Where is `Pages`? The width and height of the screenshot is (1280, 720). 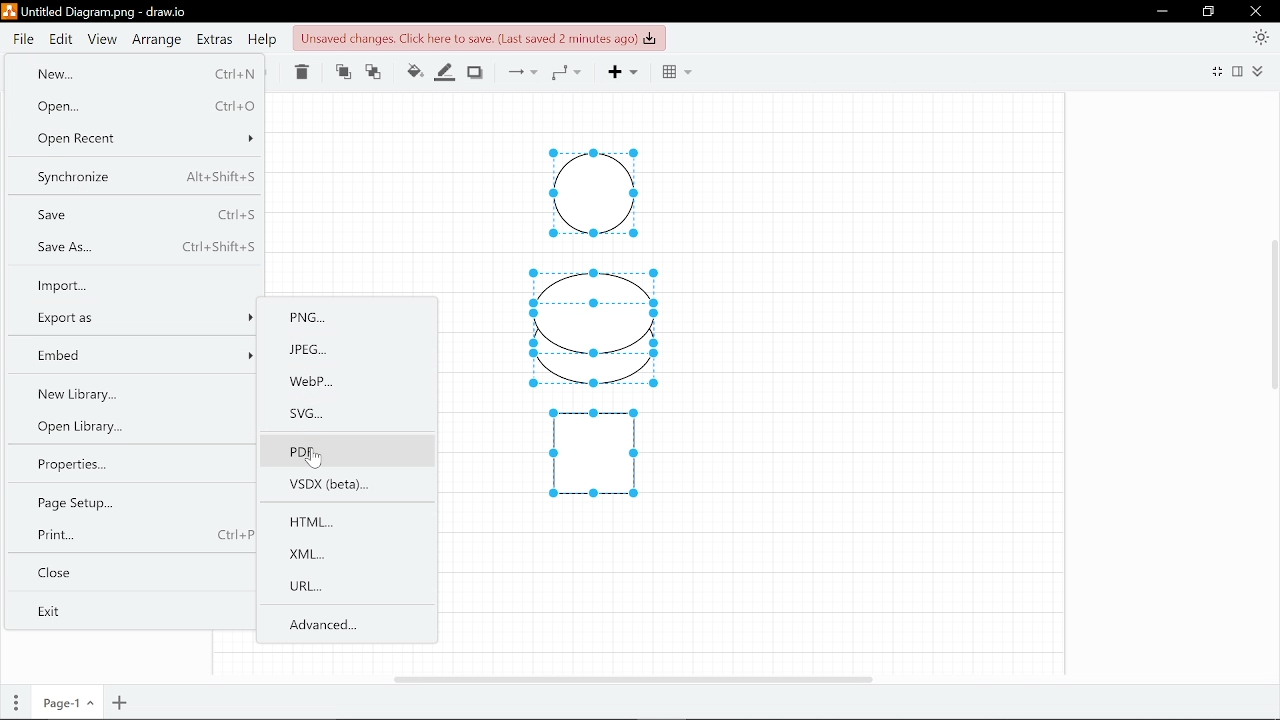
Pages is located at coordinates (16, 701).